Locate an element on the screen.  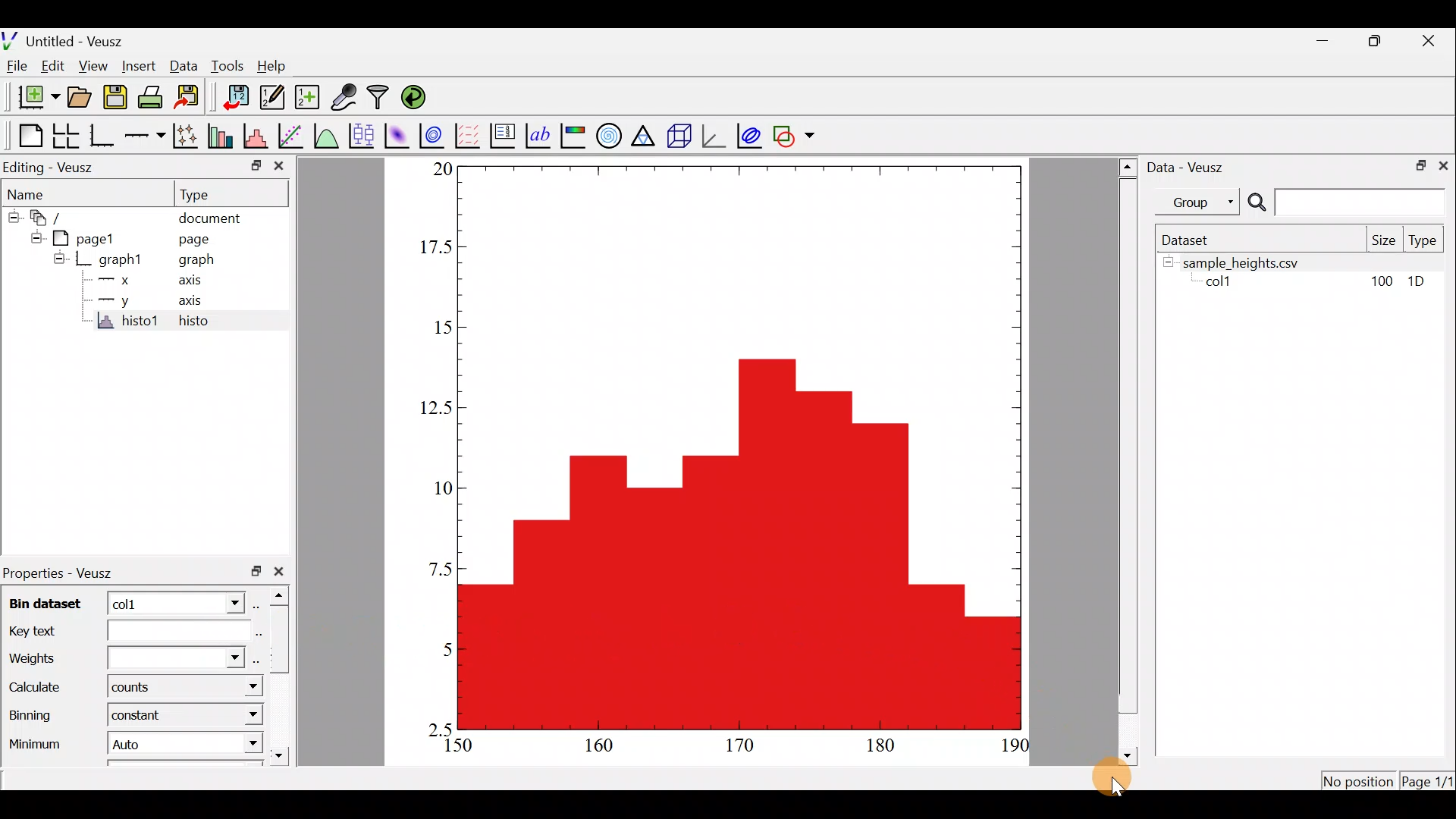
arrange graphs in a grid is located at coordinates (67, 133).